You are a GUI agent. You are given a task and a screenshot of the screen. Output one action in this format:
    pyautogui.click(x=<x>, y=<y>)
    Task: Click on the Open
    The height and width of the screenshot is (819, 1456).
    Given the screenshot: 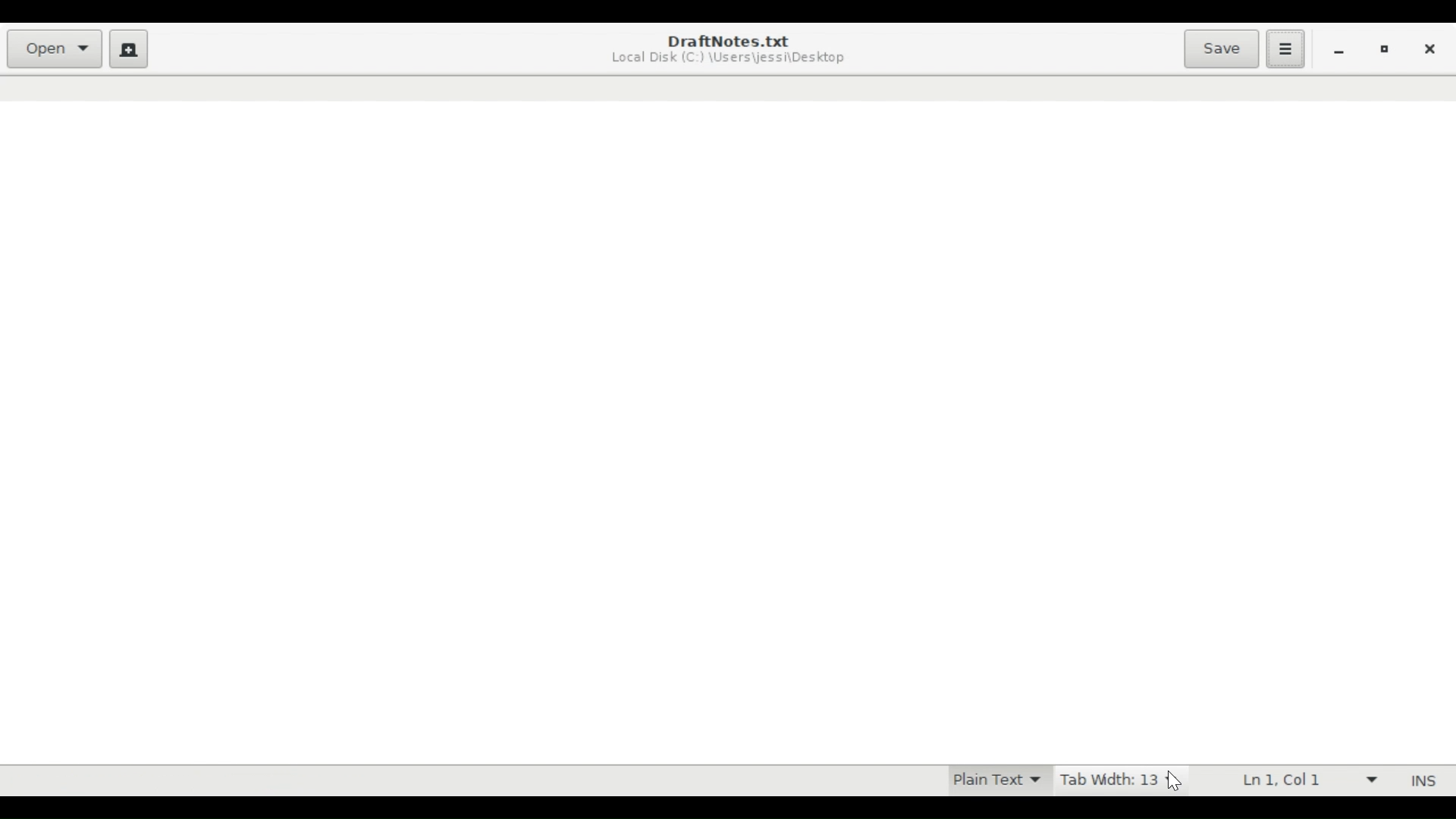 What is the action you would take?
    pyautogui.click(x=56, y=49)
    